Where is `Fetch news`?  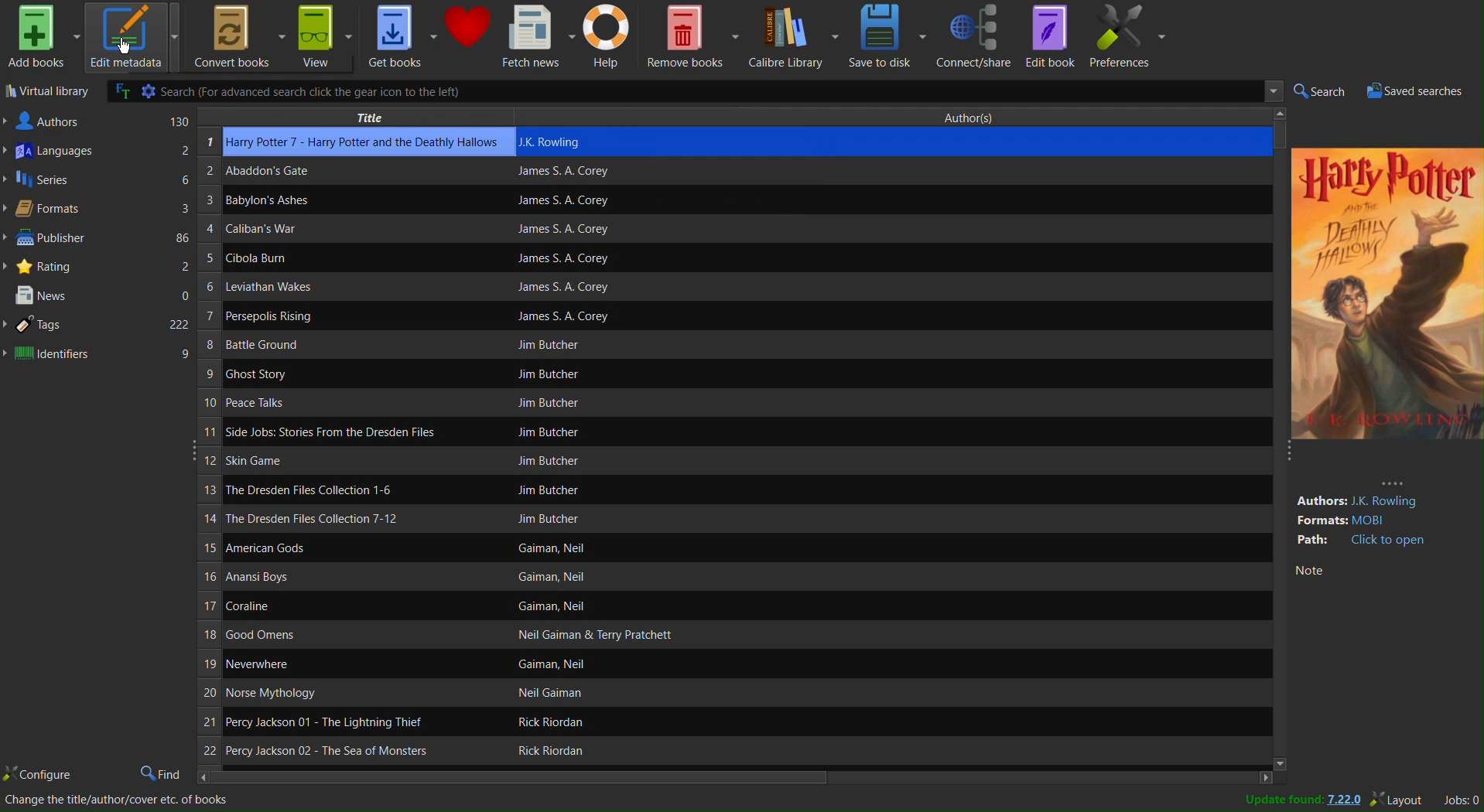 Fetch news is located at coordinates (538, 36).